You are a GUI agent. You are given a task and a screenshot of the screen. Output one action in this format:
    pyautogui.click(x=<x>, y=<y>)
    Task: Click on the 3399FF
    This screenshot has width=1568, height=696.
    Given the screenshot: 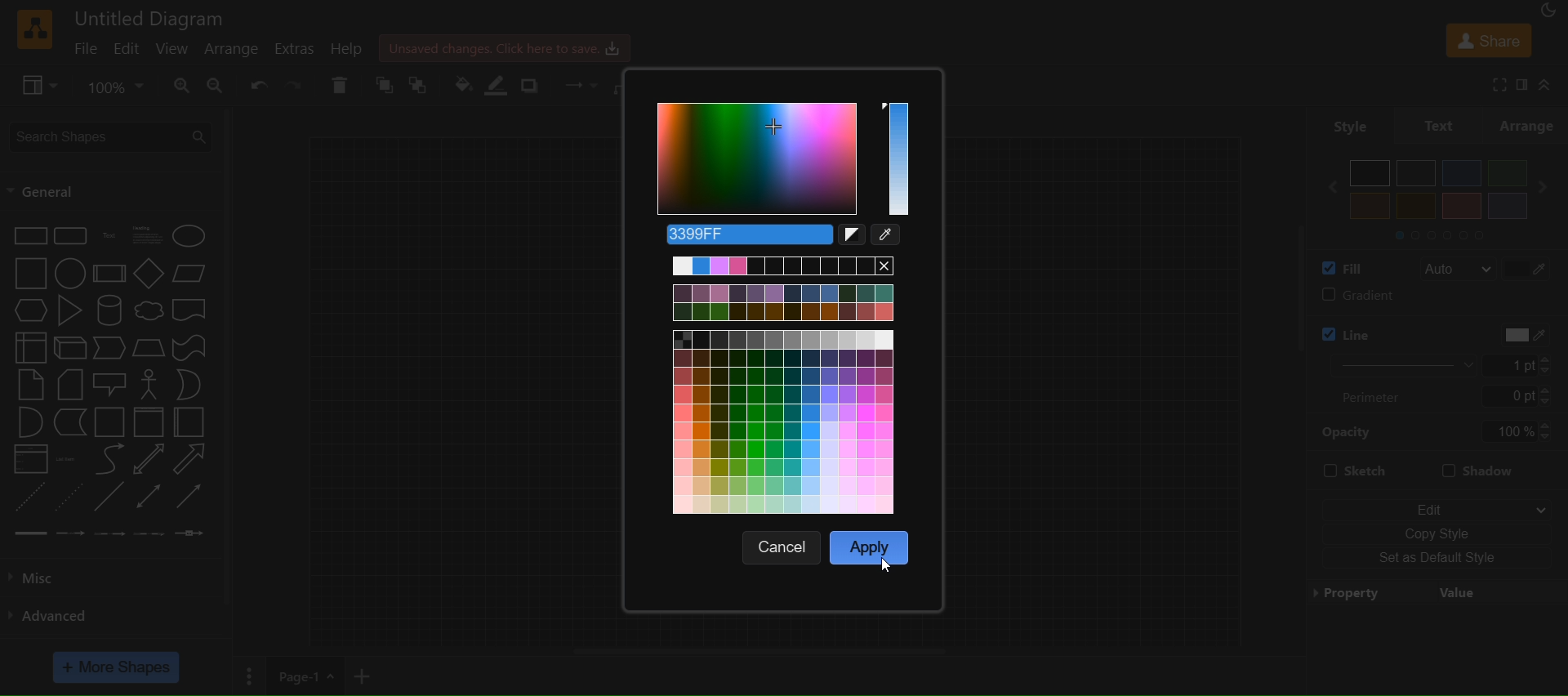 What is the action you would take?
    pyautogui.click(x=743, y=234)
    